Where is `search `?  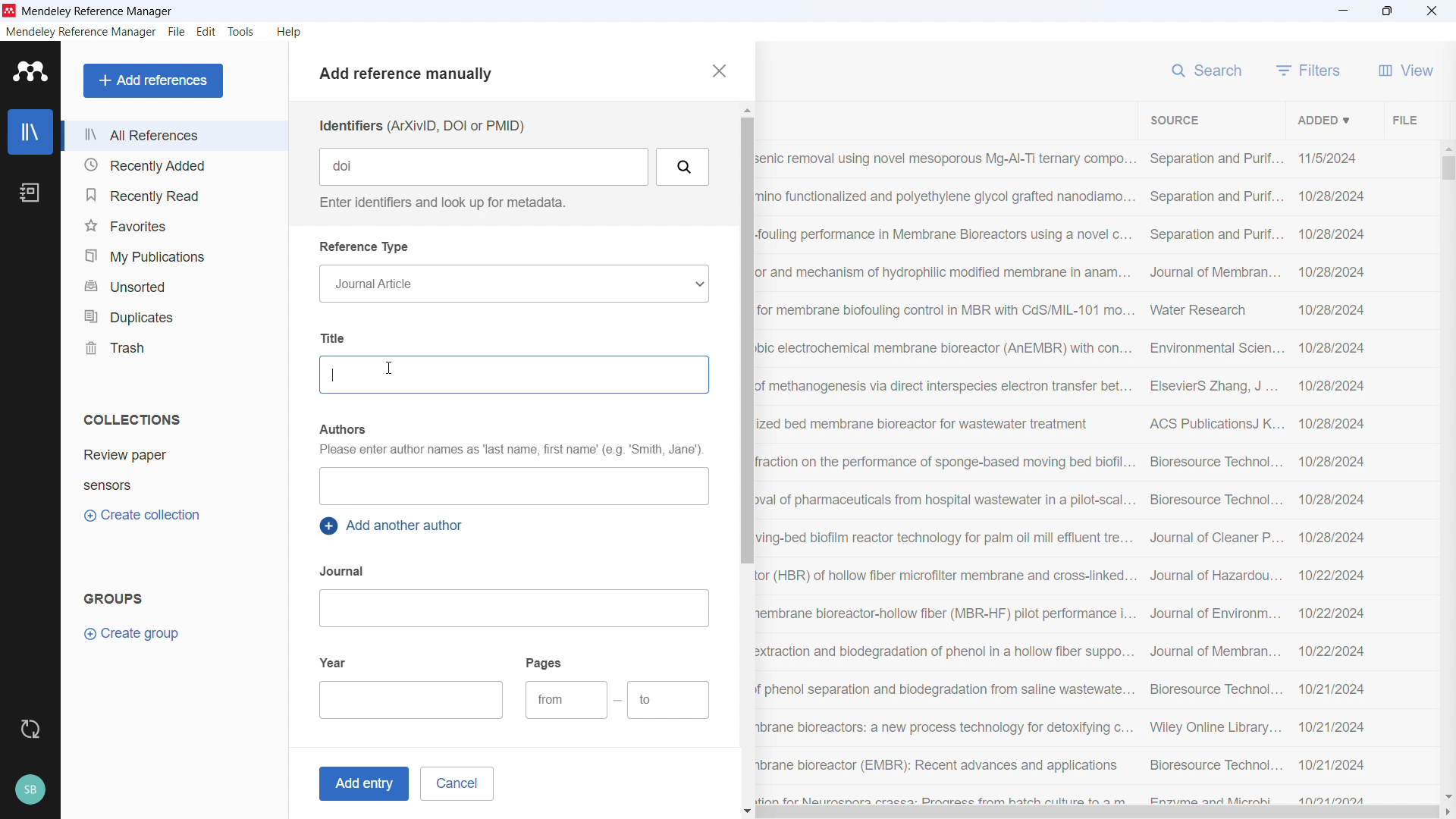 search  is located at coordinates (1209, 68).